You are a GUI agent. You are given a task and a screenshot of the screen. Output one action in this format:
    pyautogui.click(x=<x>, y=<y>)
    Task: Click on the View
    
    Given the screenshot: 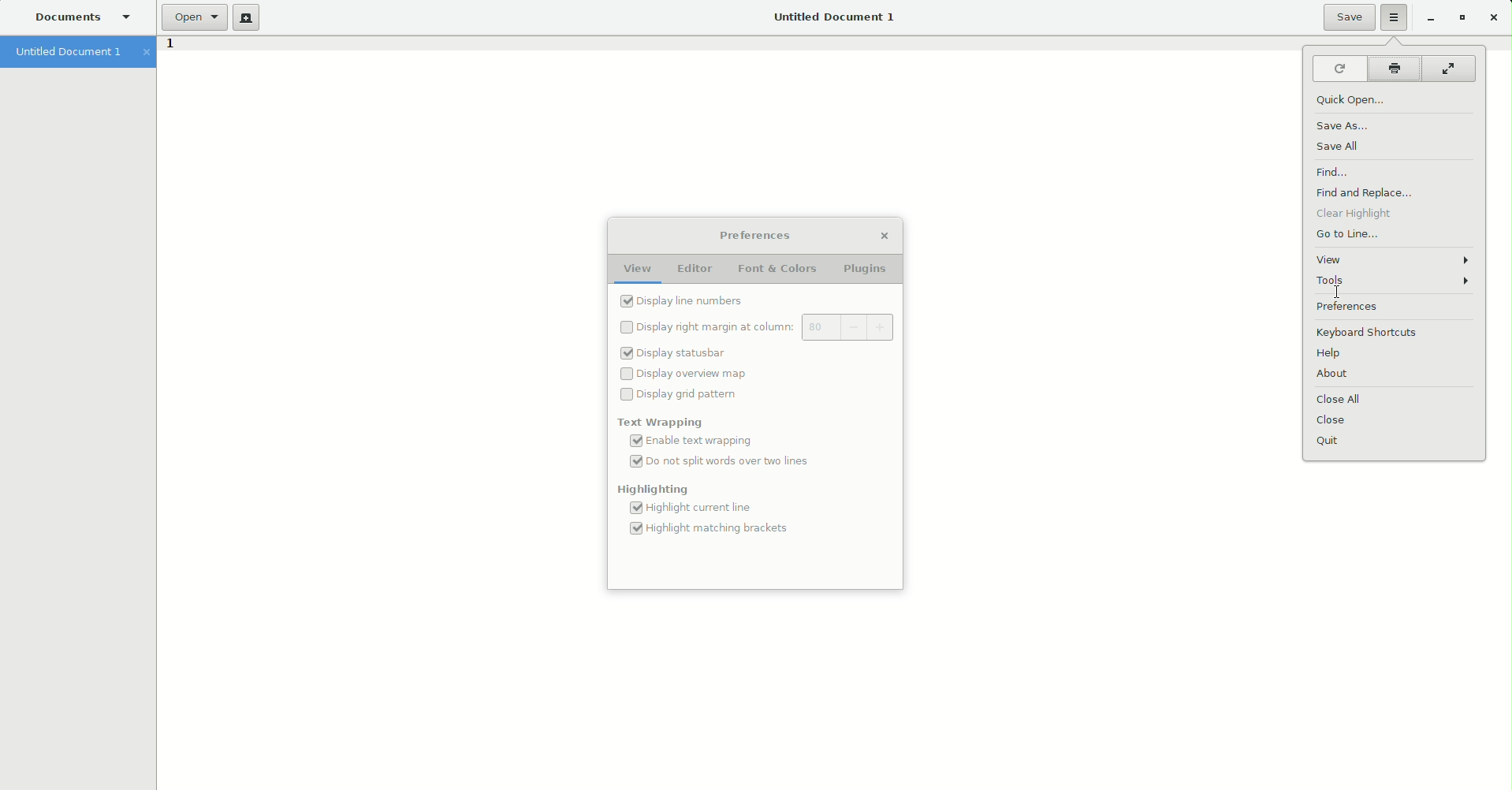 What is the action you would take?
    pyautogui.click(x=1395, y=259)
    